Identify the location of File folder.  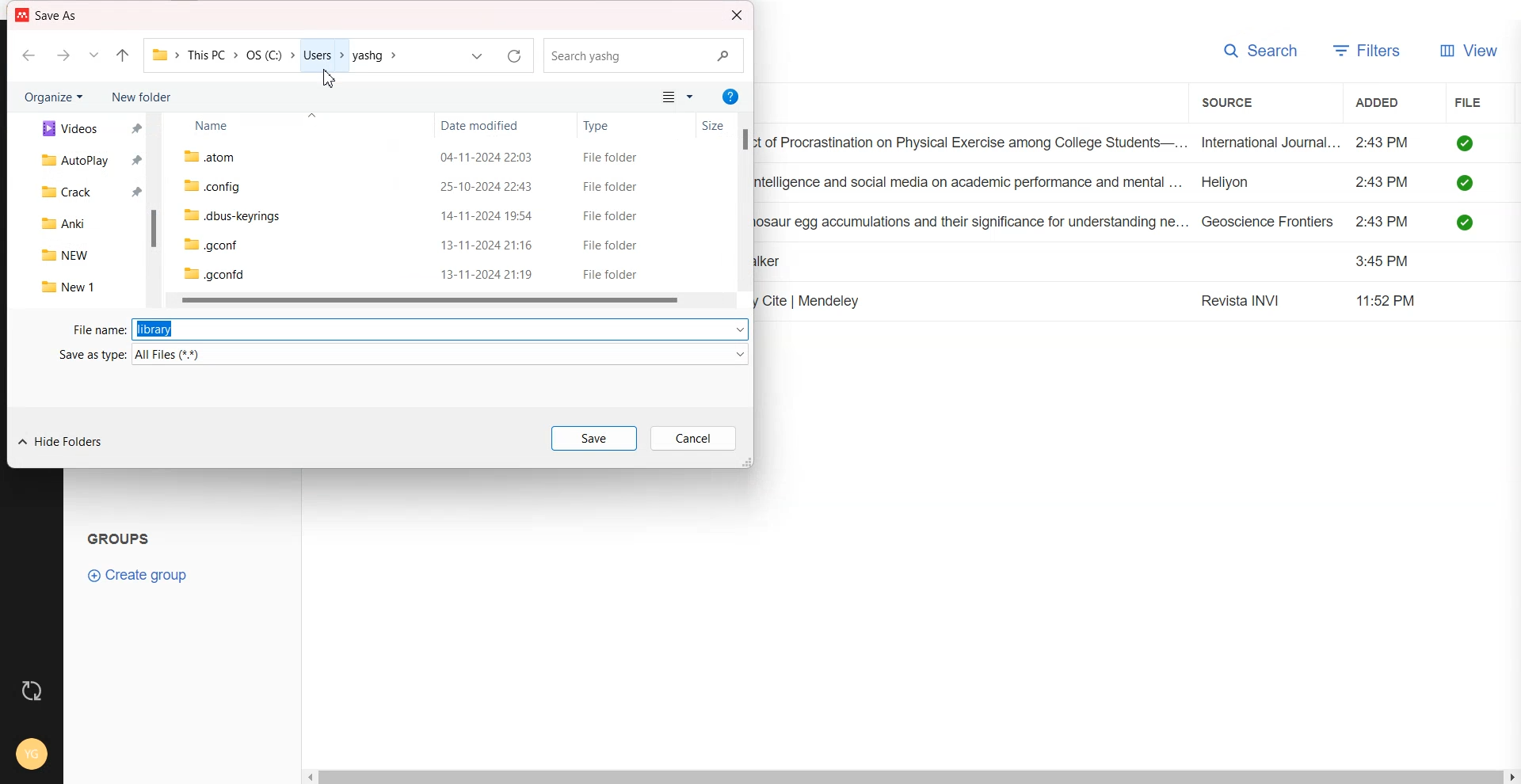
(613, 158).